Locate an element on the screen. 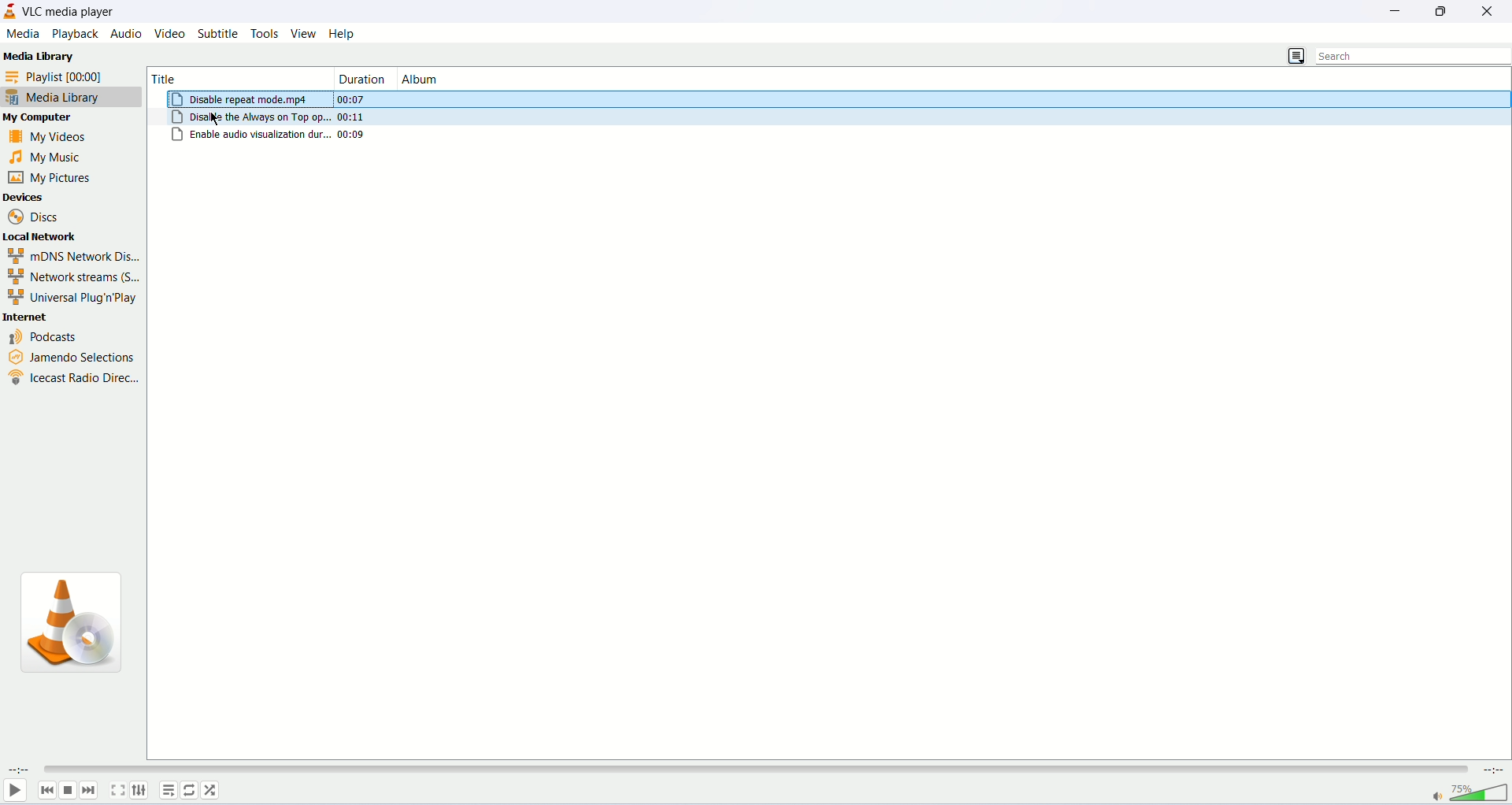 This screenshot has height=805, width=1512. VLC icon is located at coordinates (80, 627).